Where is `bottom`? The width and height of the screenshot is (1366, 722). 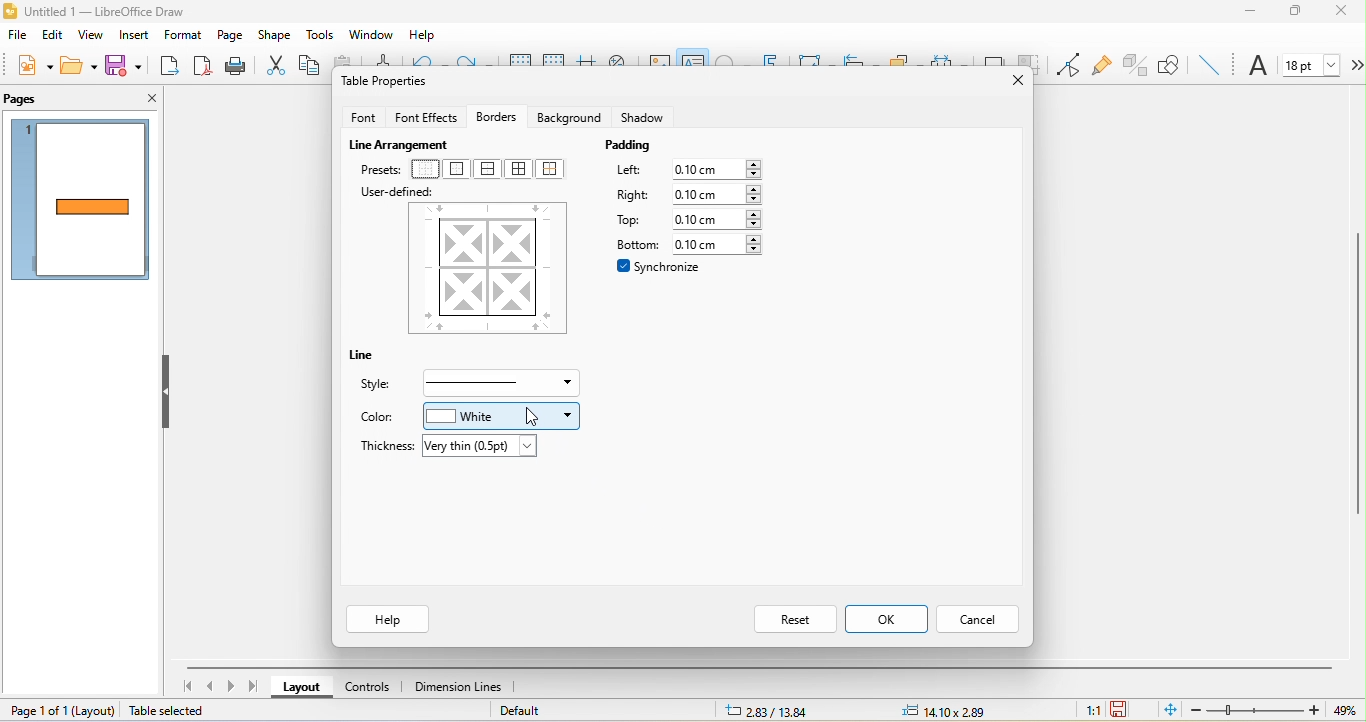 bottom is located at coordinates (631, 243).